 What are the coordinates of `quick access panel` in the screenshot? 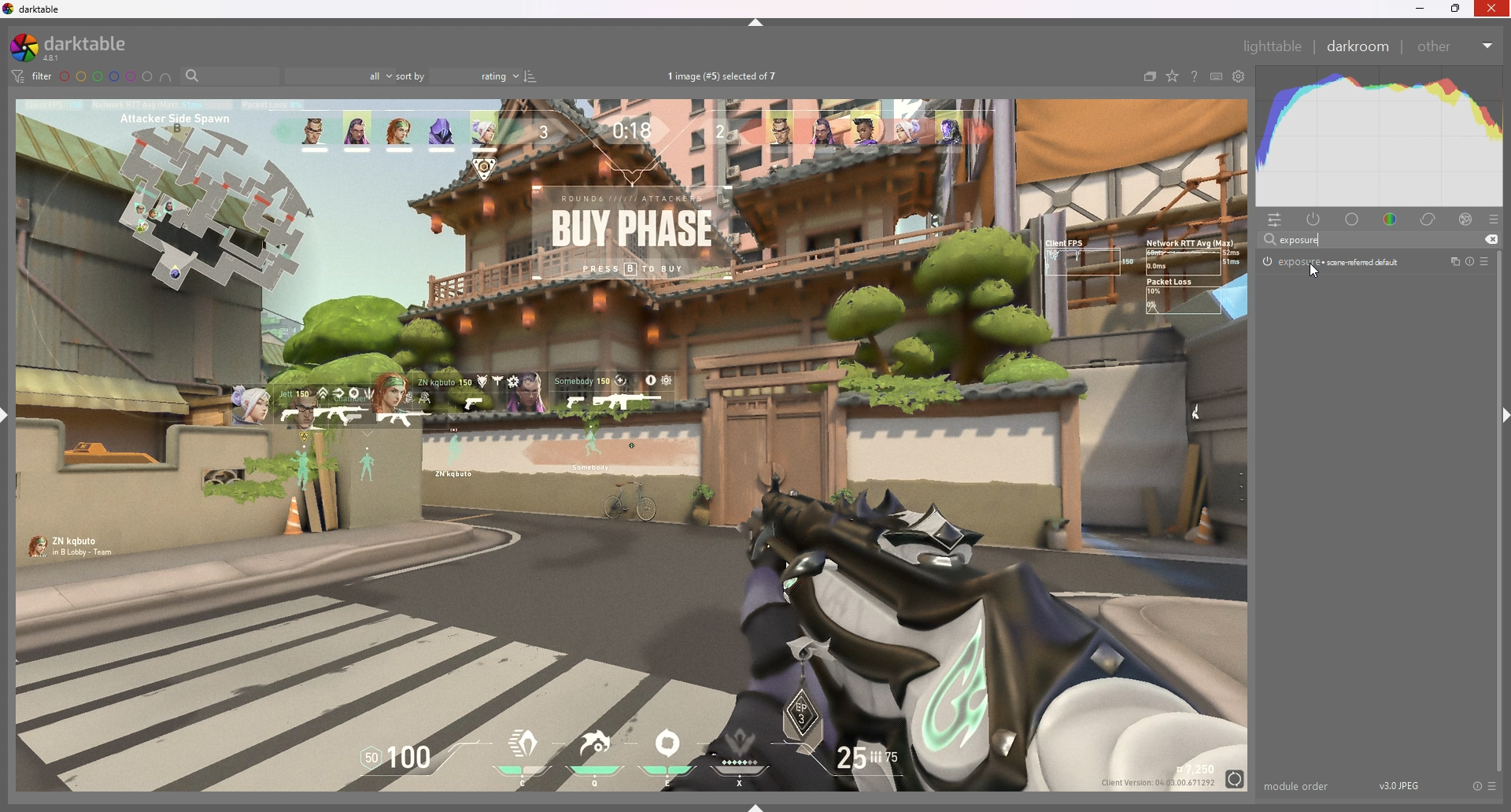 It's located at (1278, 220).